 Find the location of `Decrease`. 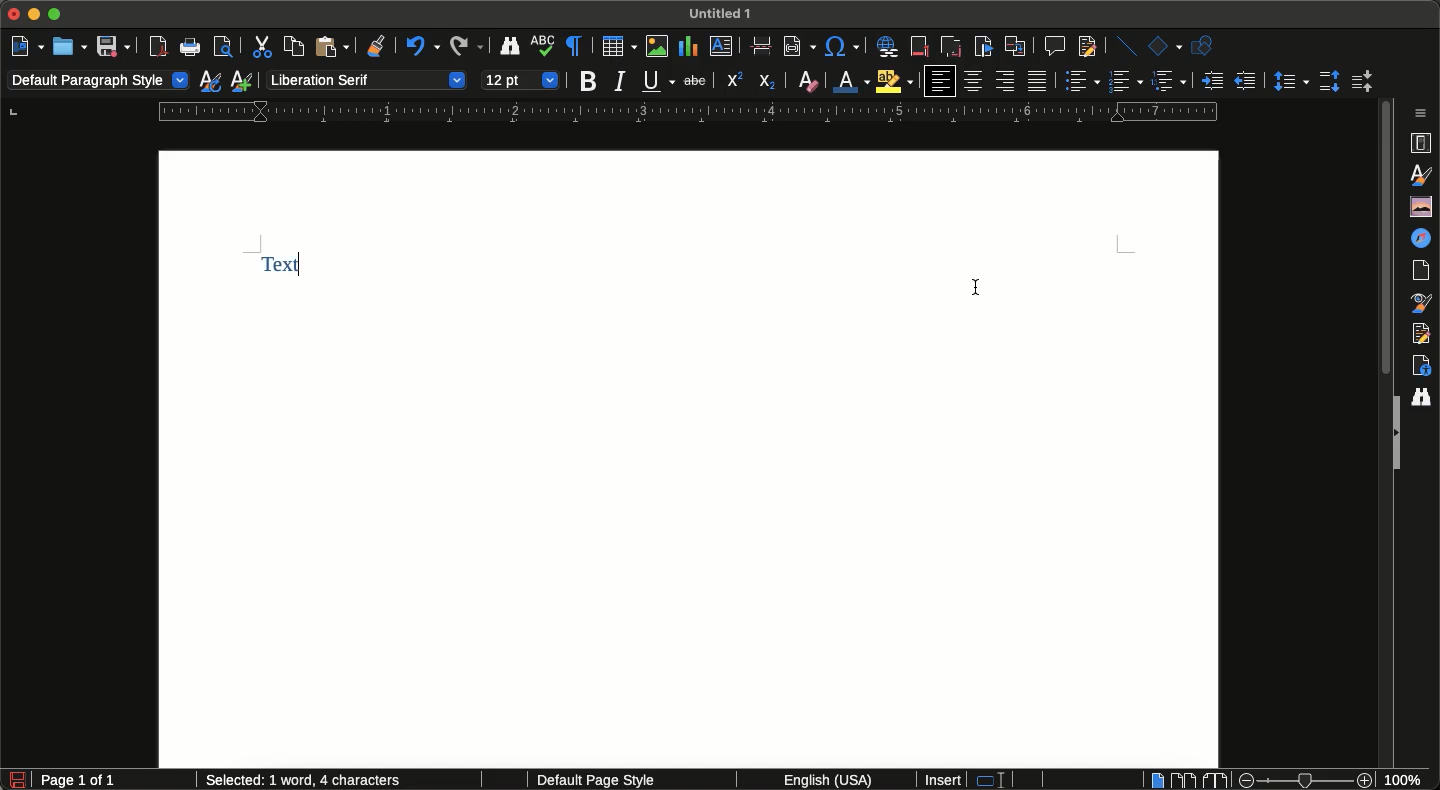

Decrease is located at coordinates (1245, 81).